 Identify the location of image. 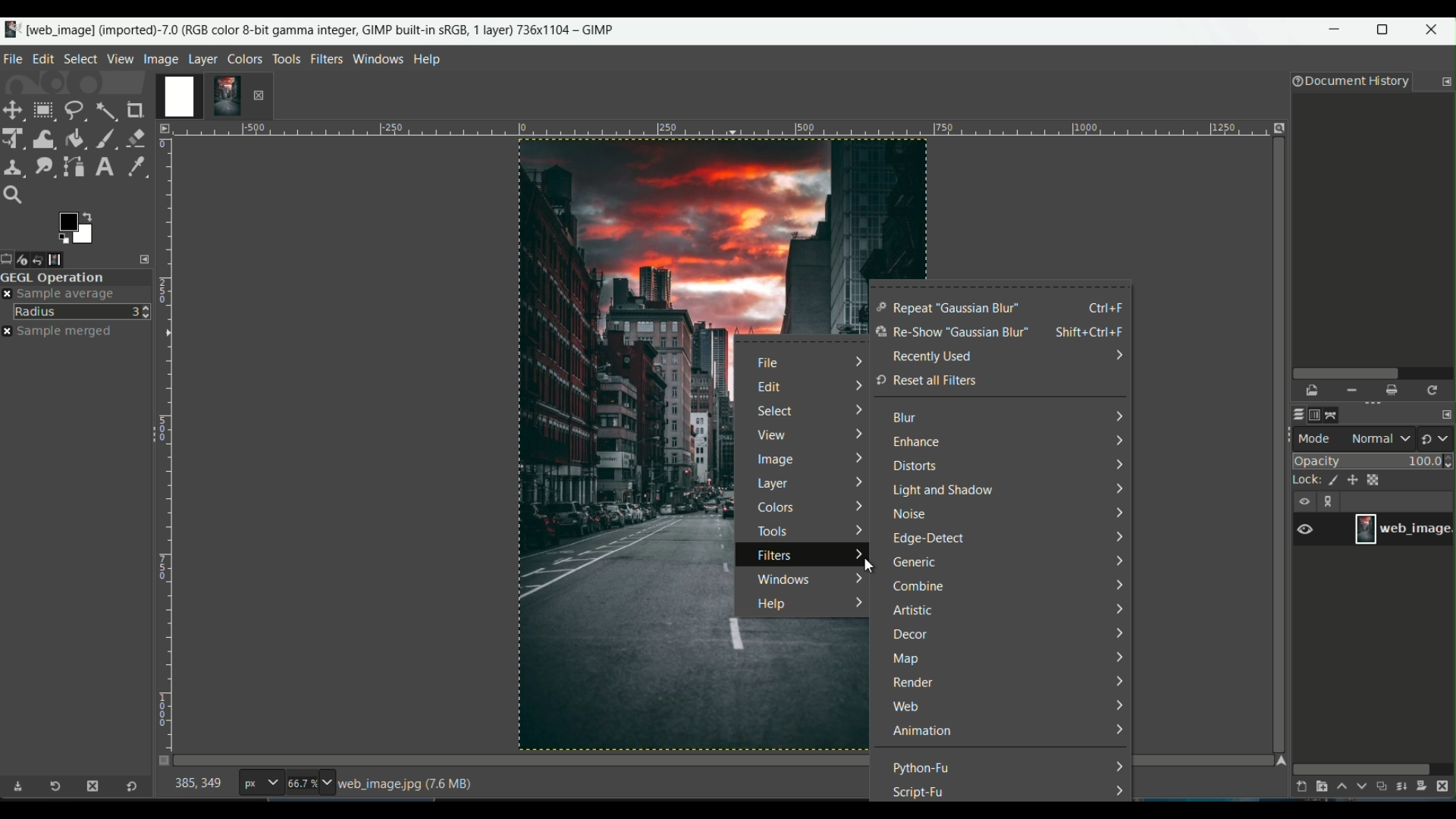
(775, 462).